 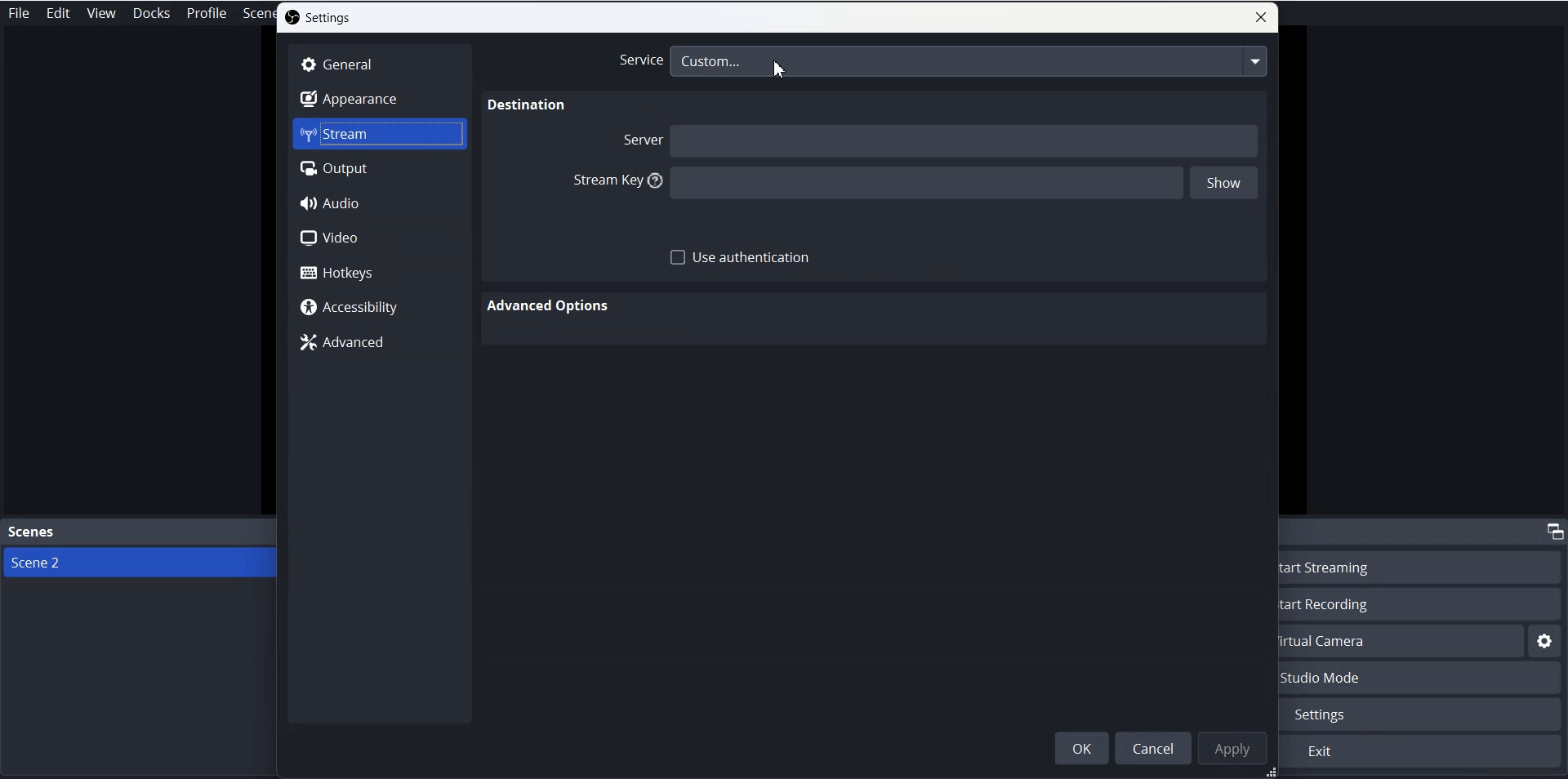 What do you see at coordinates (380, 134) in the screenshot?
I see `Stream` at bounding box center [380, 134].